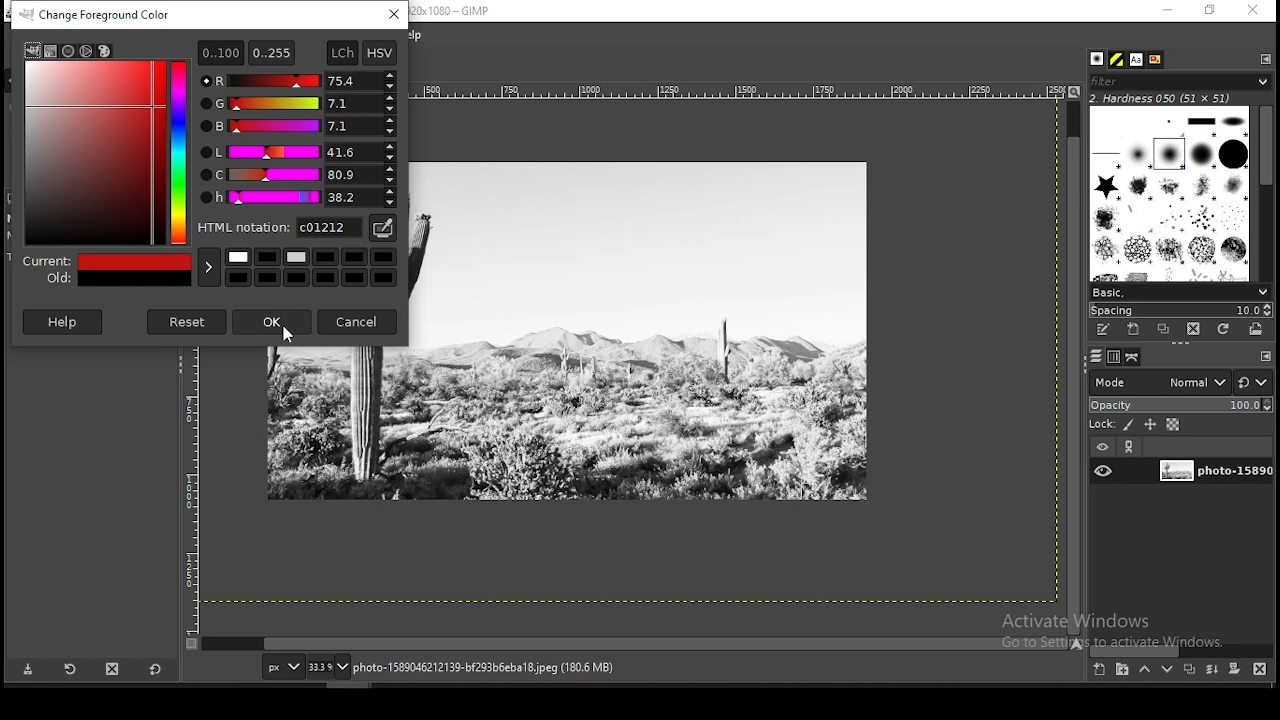  Describe the element at coordinates (1136, 330) in the screenshot. I see `create a new brush` at that location.